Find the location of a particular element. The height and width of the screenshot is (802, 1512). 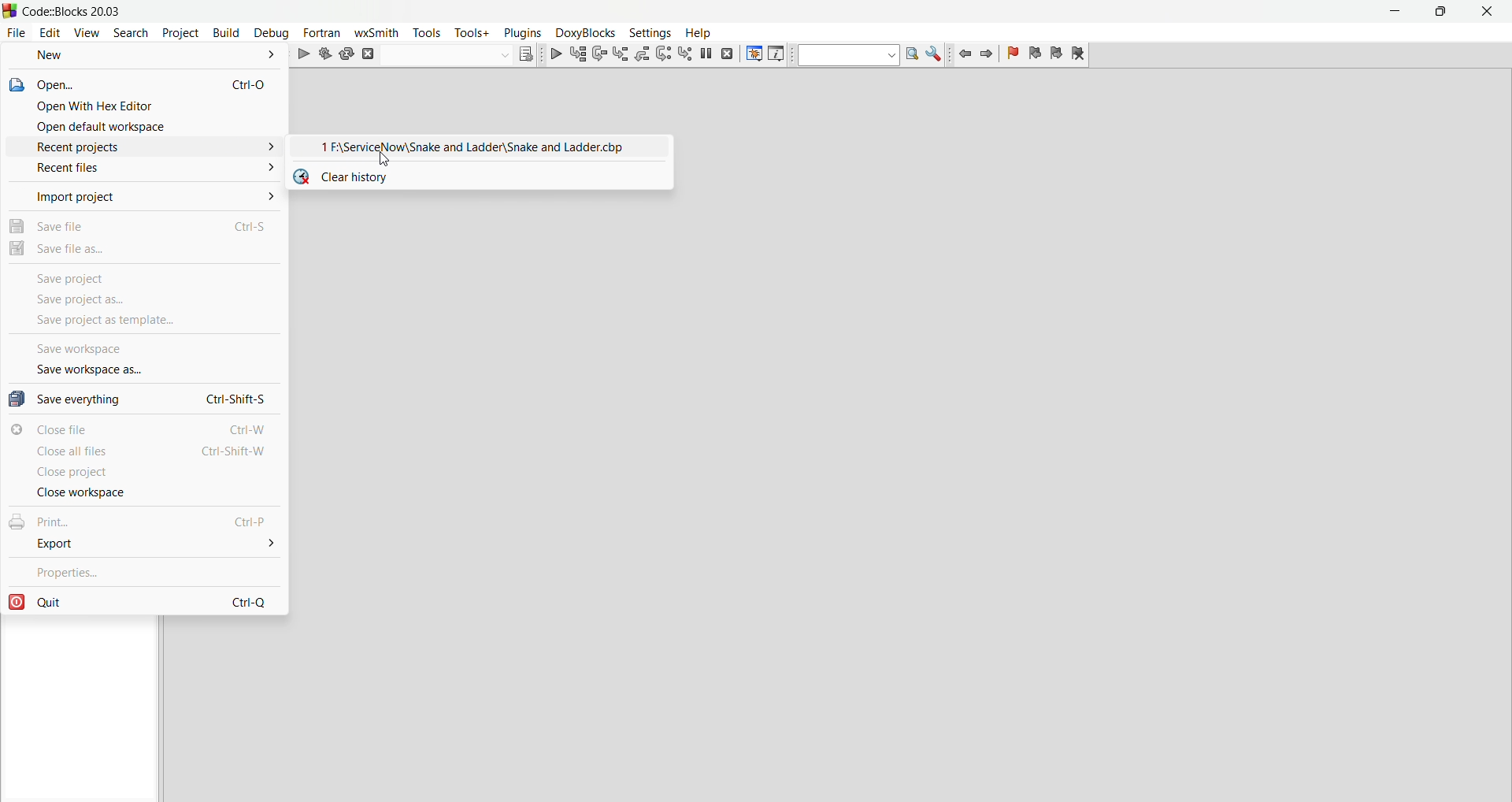

save project is located at coordinates (145, 275).